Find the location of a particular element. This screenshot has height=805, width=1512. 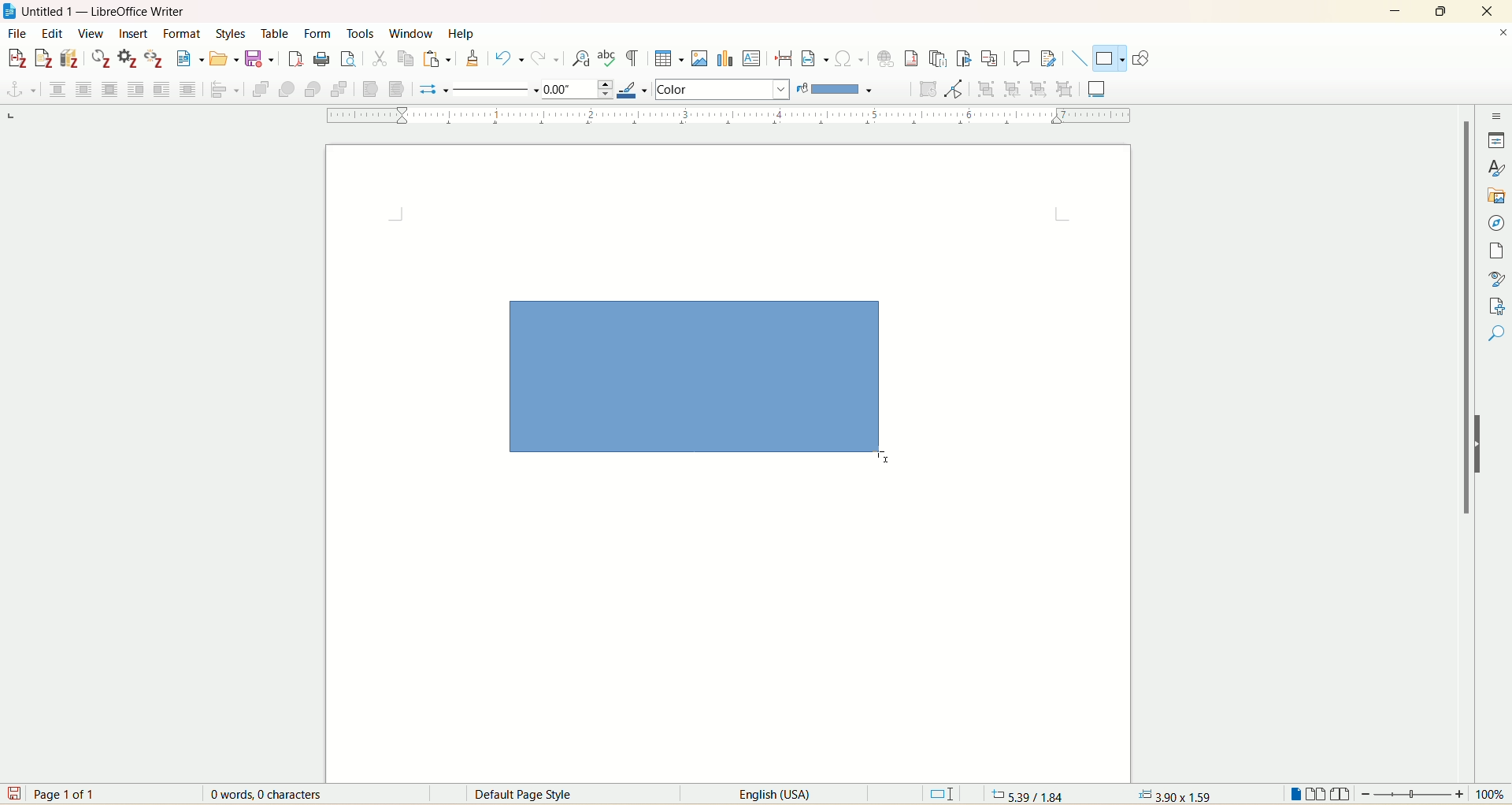

styles is located at coordinates (235, 34).